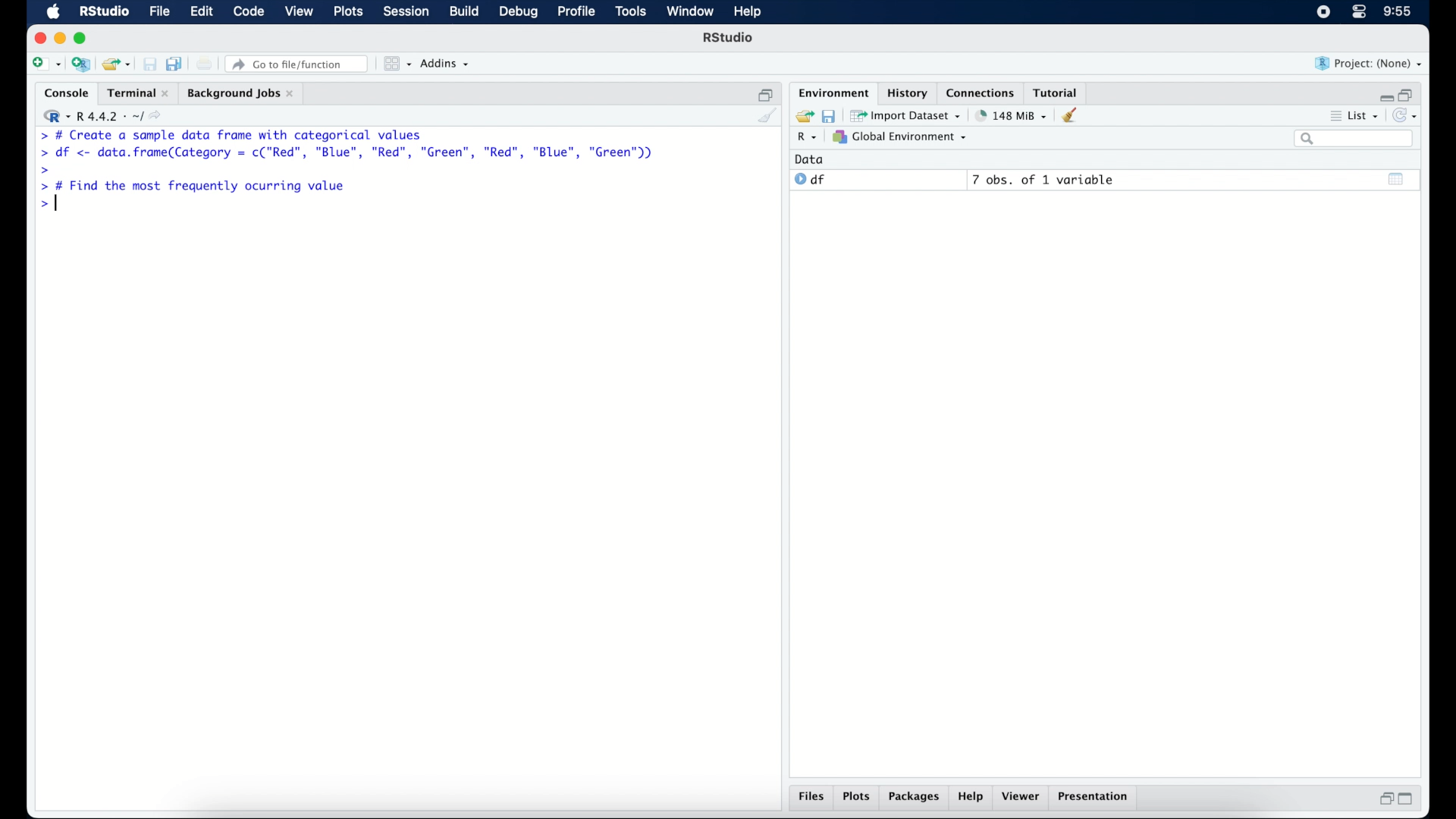  What do you see at coordinates (915, 799) in the screenshot?
I see `packages` at bounding box center [915, 799].